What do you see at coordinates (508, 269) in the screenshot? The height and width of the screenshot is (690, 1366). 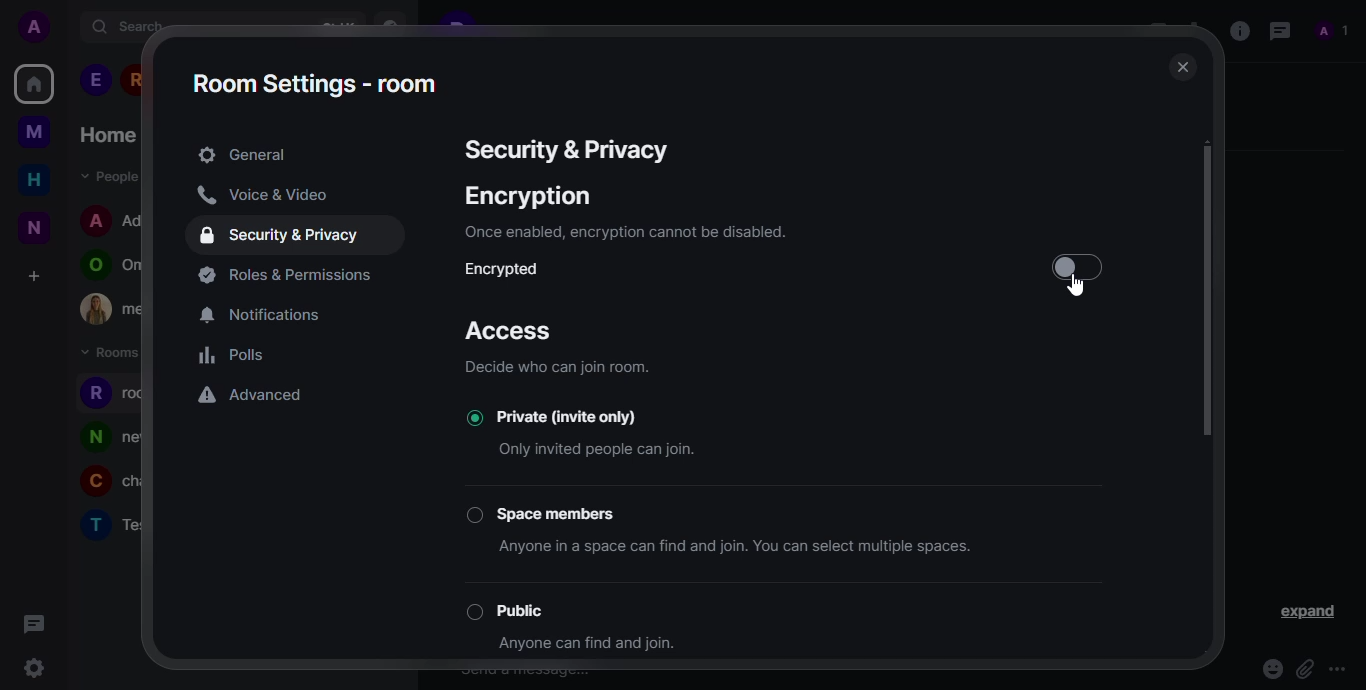 I see `encrypted` at bounding box center [508, 269].